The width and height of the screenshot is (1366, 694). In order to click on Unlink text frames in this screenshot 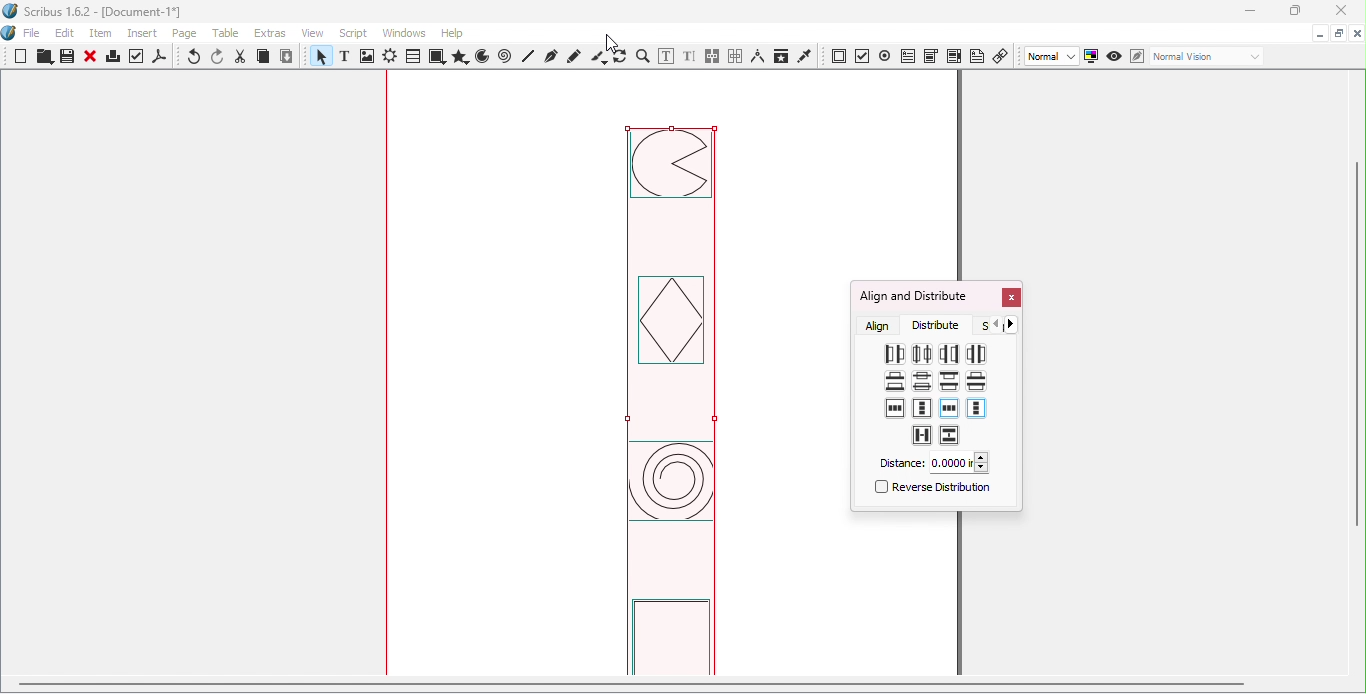, I will do `click(735, 56)`.